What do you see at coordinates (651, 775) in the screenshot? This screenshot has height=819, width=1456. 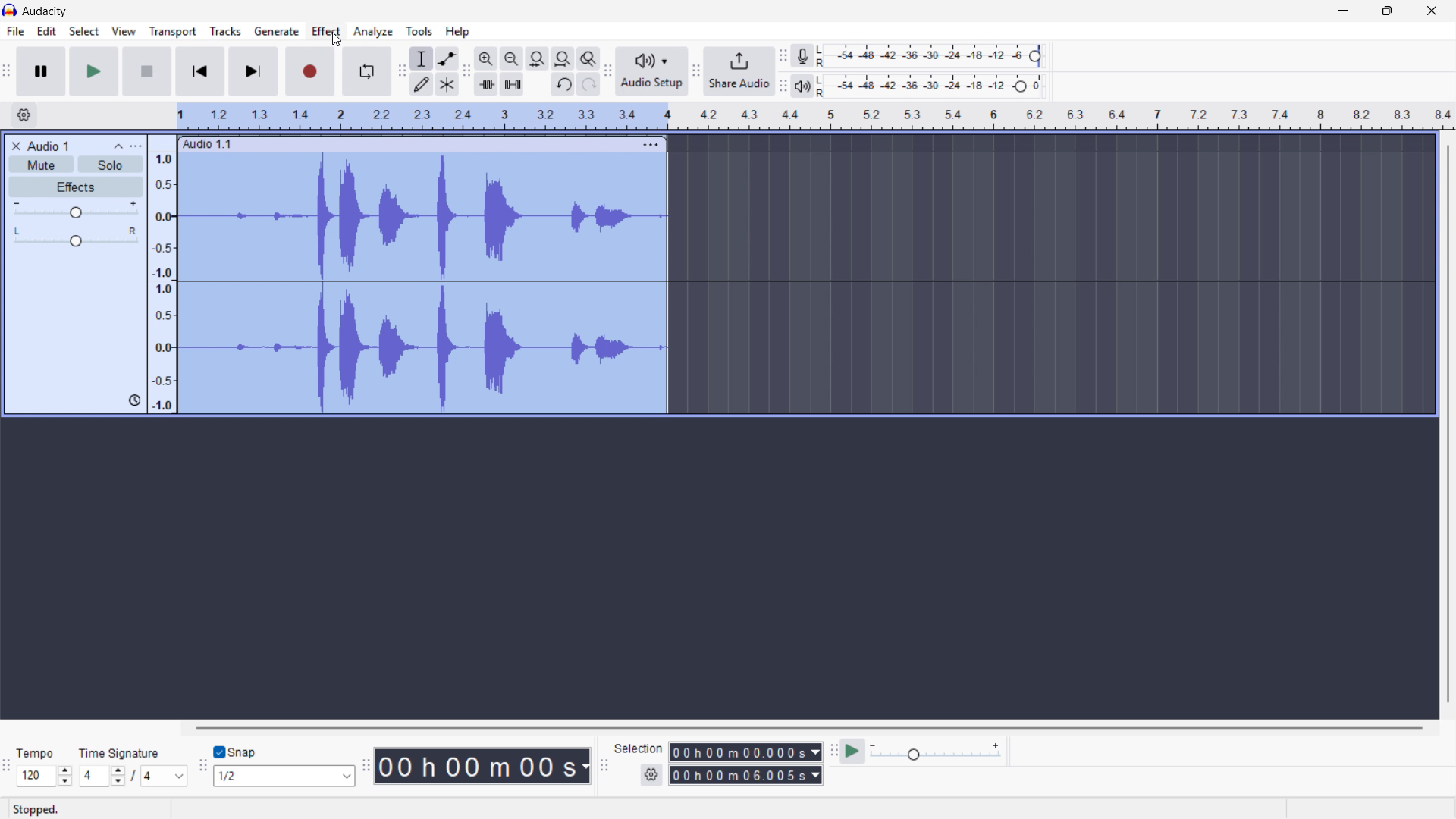 I see `Selection settings` at bounding box center [651, 775].